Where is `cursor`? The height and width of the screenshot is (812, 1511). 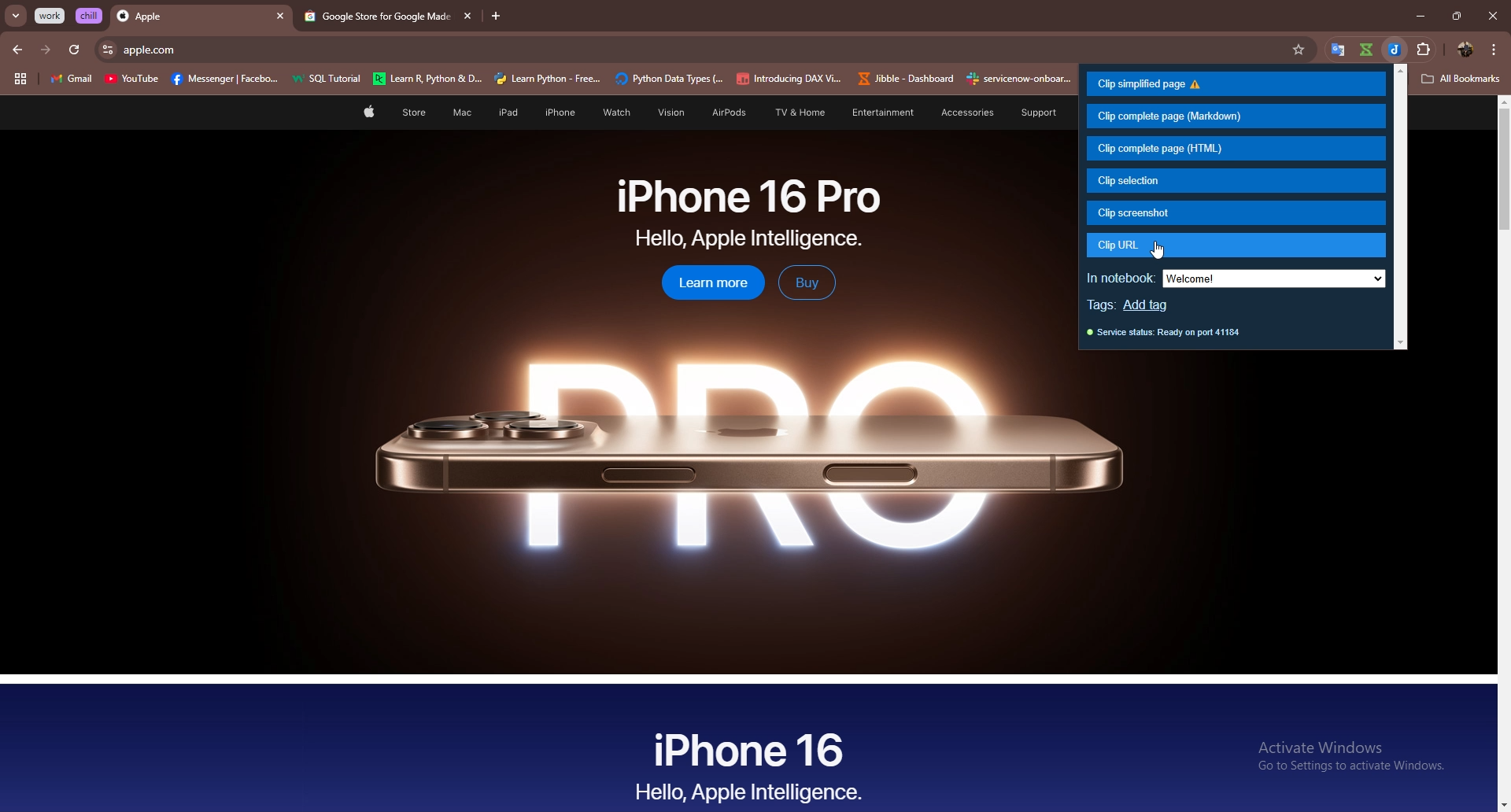 cursor is located at coordinates (1160, 251).